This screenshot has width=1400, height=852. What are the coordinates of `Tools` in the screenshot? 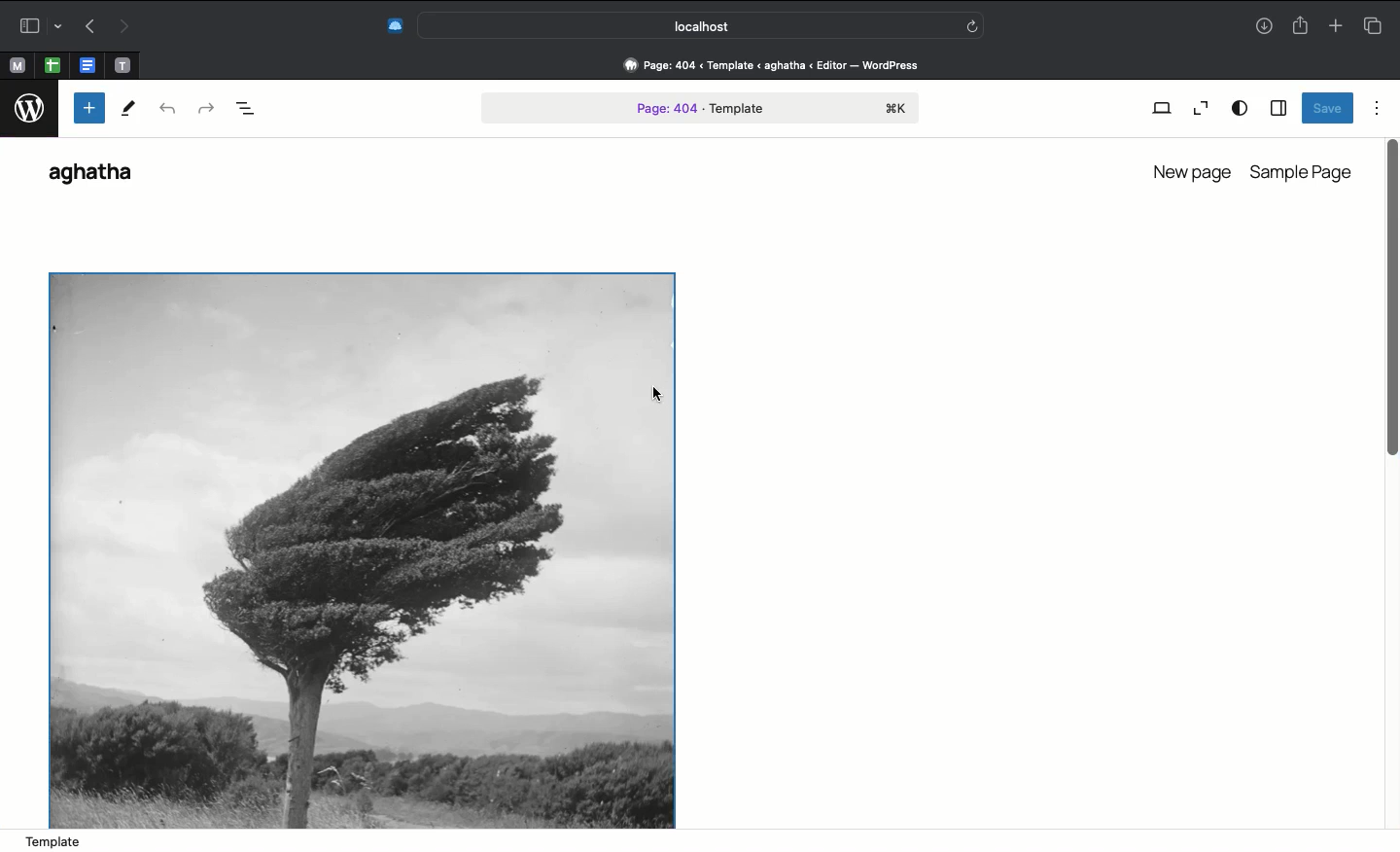 It's located at (127, 109).